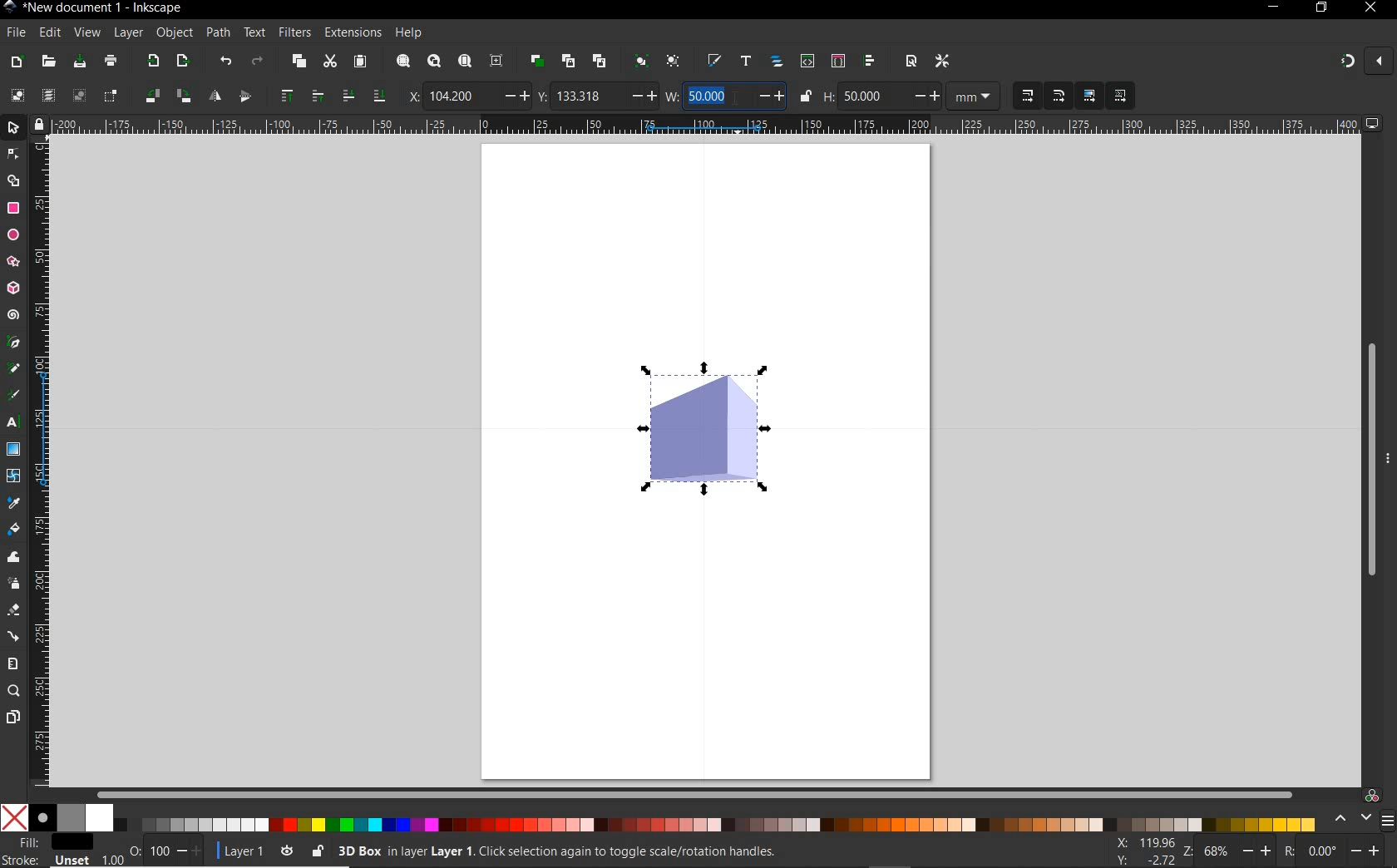 The width and height of the screenshot is (1397, 868). Describe the element at coordinates (12, 235) in the screenshot. I see `ellipse tool` at that location.